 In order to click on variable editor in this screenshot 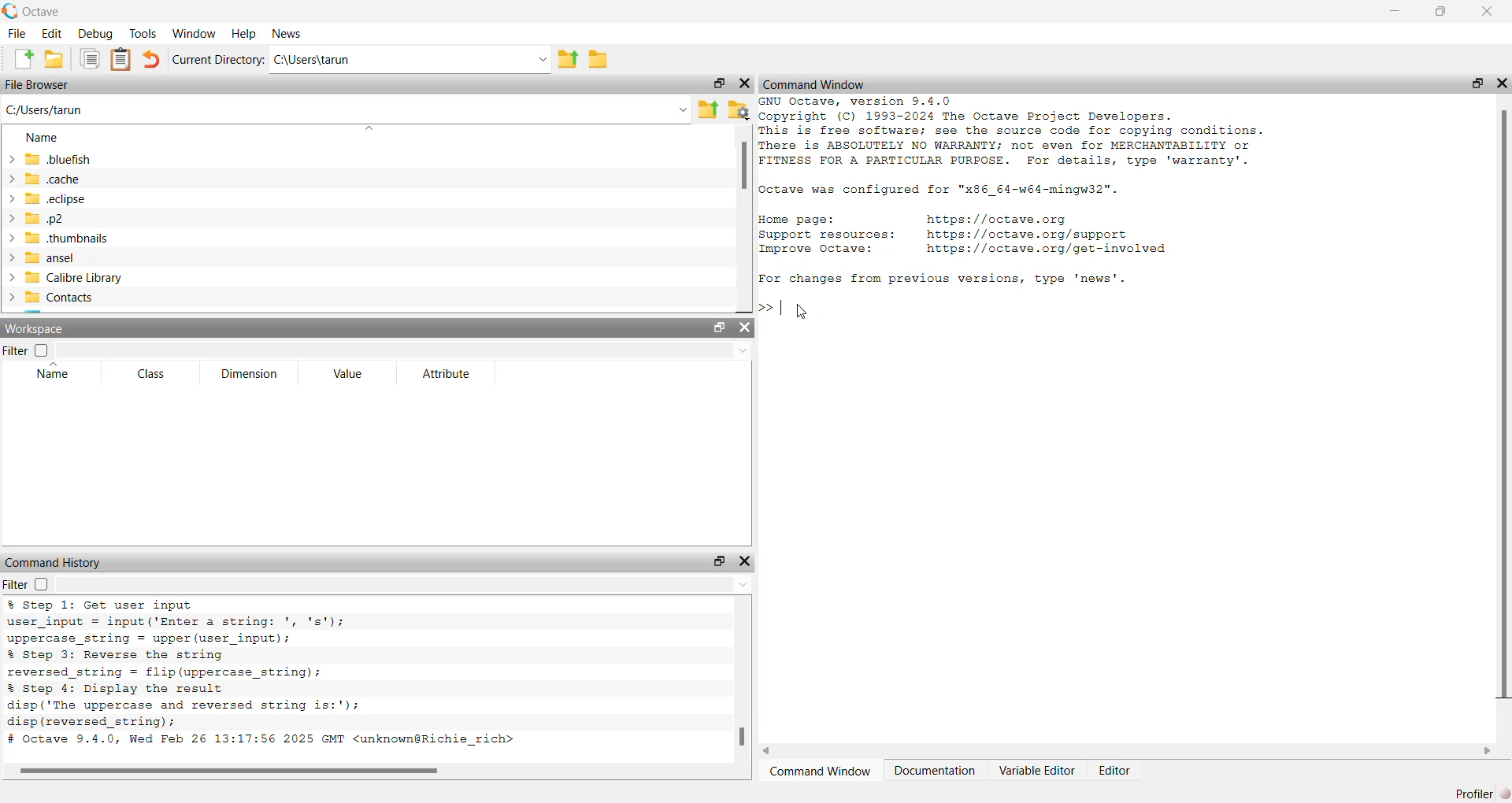, I will do `click(1036, 770)`.